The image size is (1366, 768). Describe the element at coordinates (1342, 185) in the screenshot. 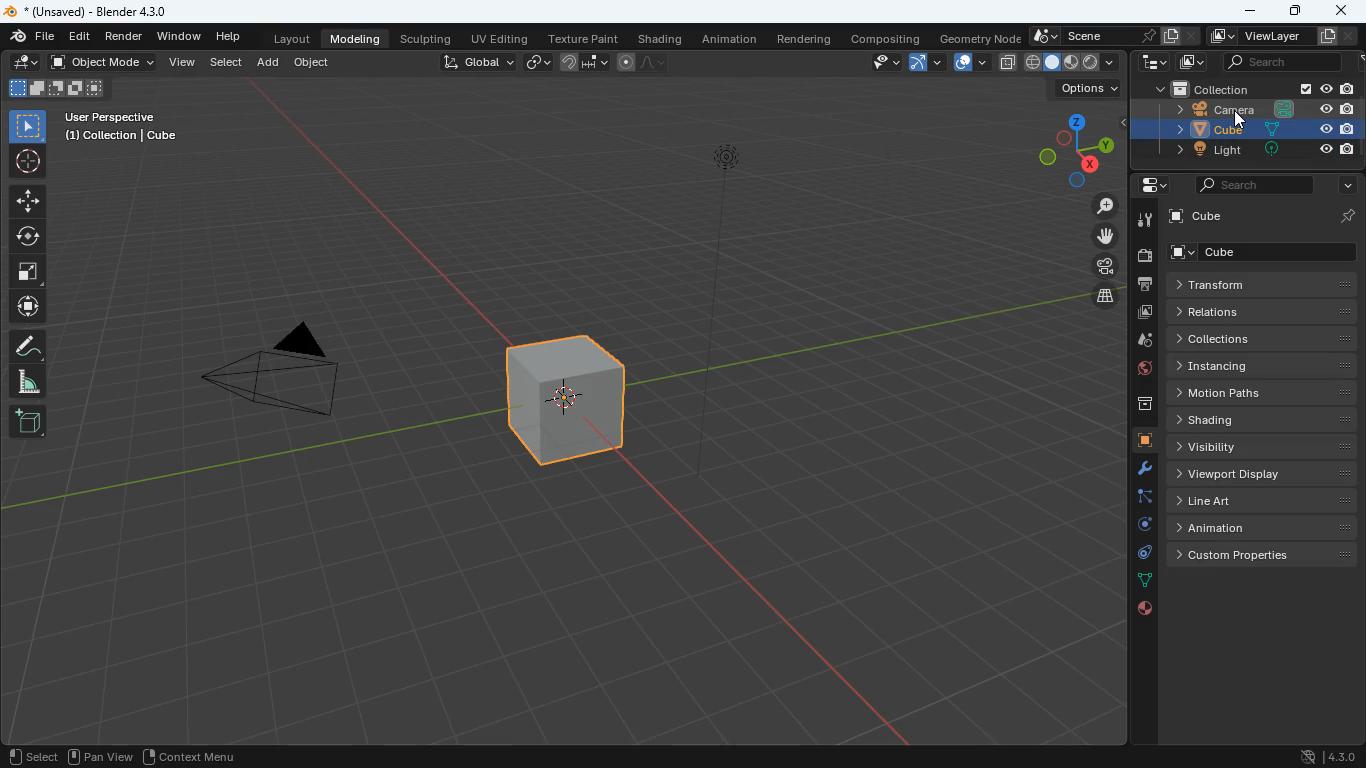

I see `more` at that location.